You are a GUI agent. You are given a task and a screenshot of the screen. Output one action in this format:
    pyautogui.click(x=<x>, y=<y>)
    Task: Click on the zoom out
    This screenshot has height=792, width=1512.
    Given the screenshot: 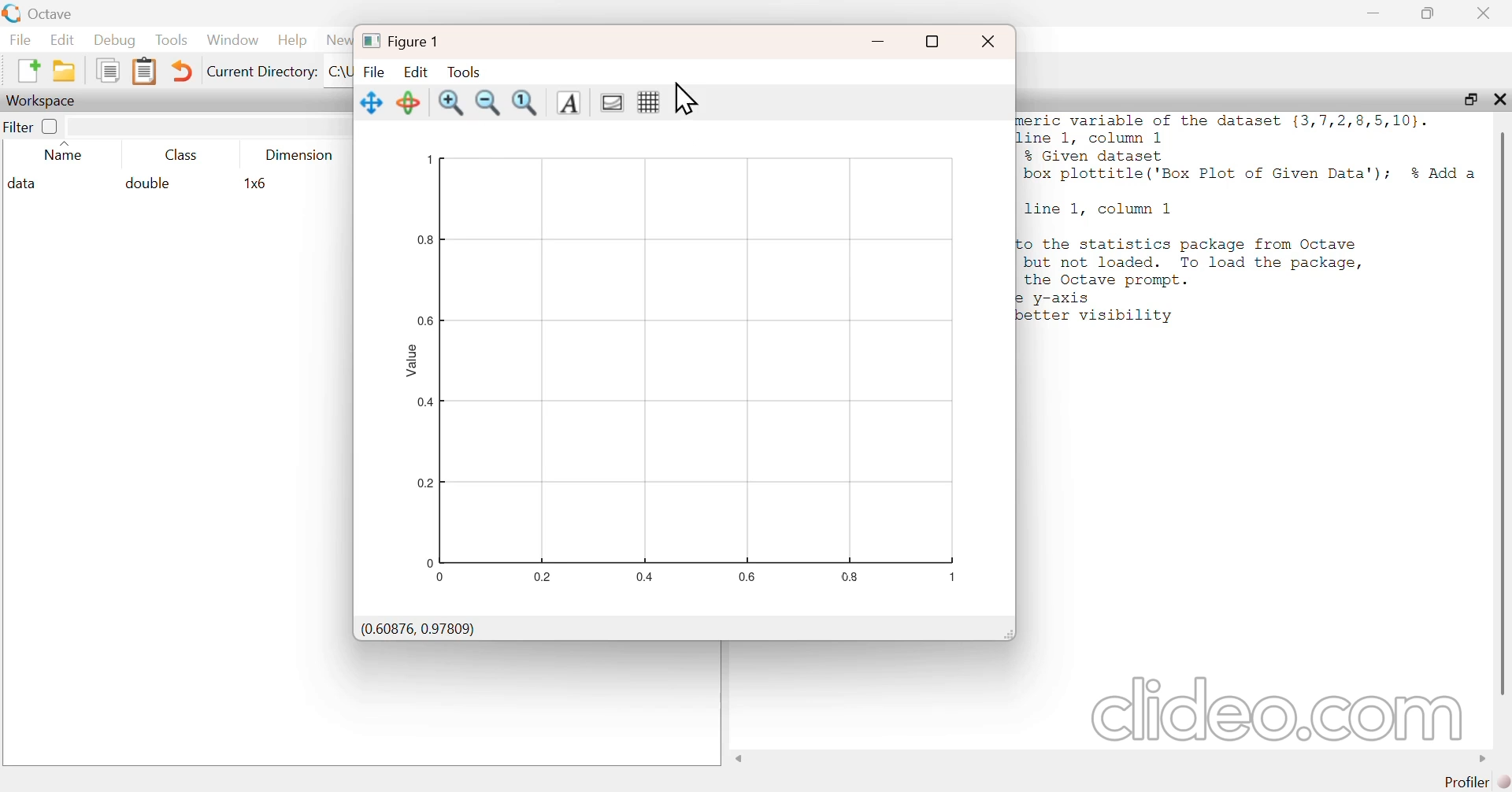 What is the action you would take?
    pyautogui.click(x=491, y=105)
    